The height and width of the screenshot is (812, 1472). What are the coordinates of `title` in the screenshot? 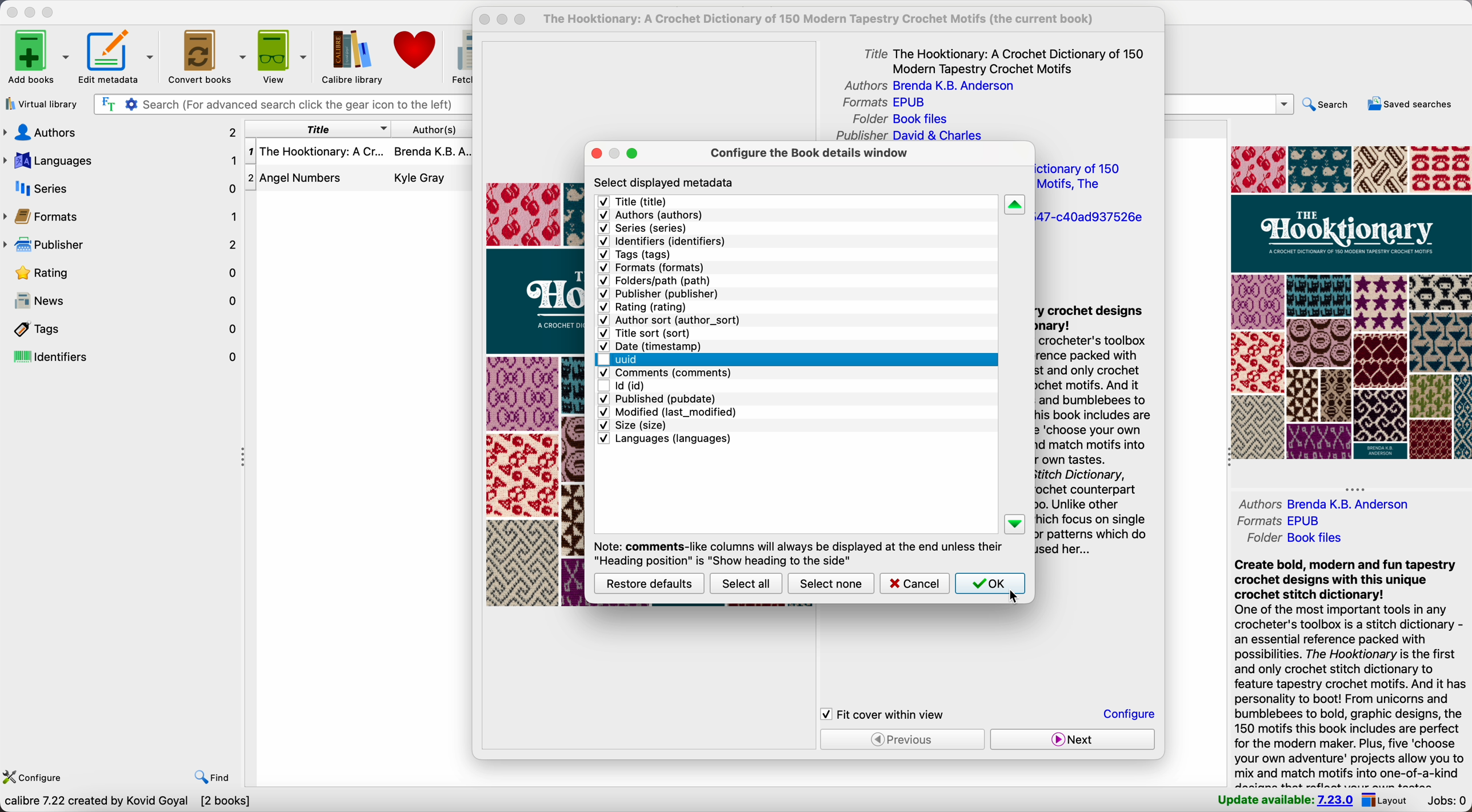 It's located at (315, 130).